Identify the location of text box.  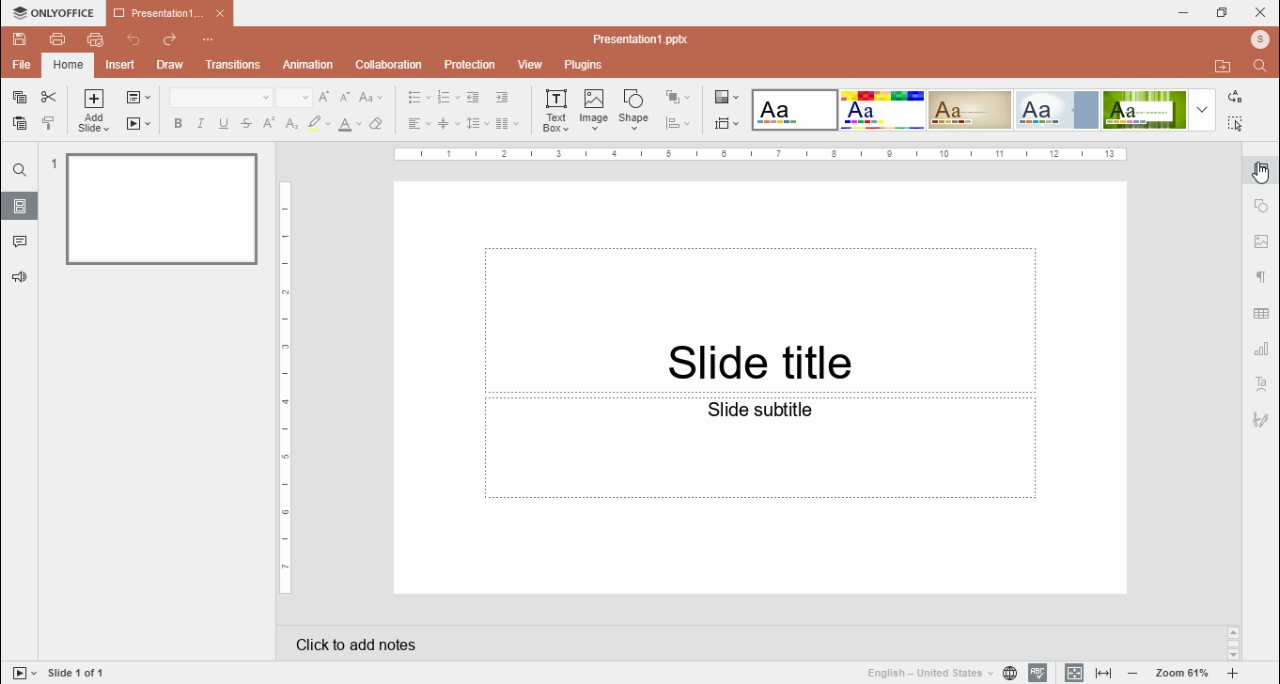
(758, 446).